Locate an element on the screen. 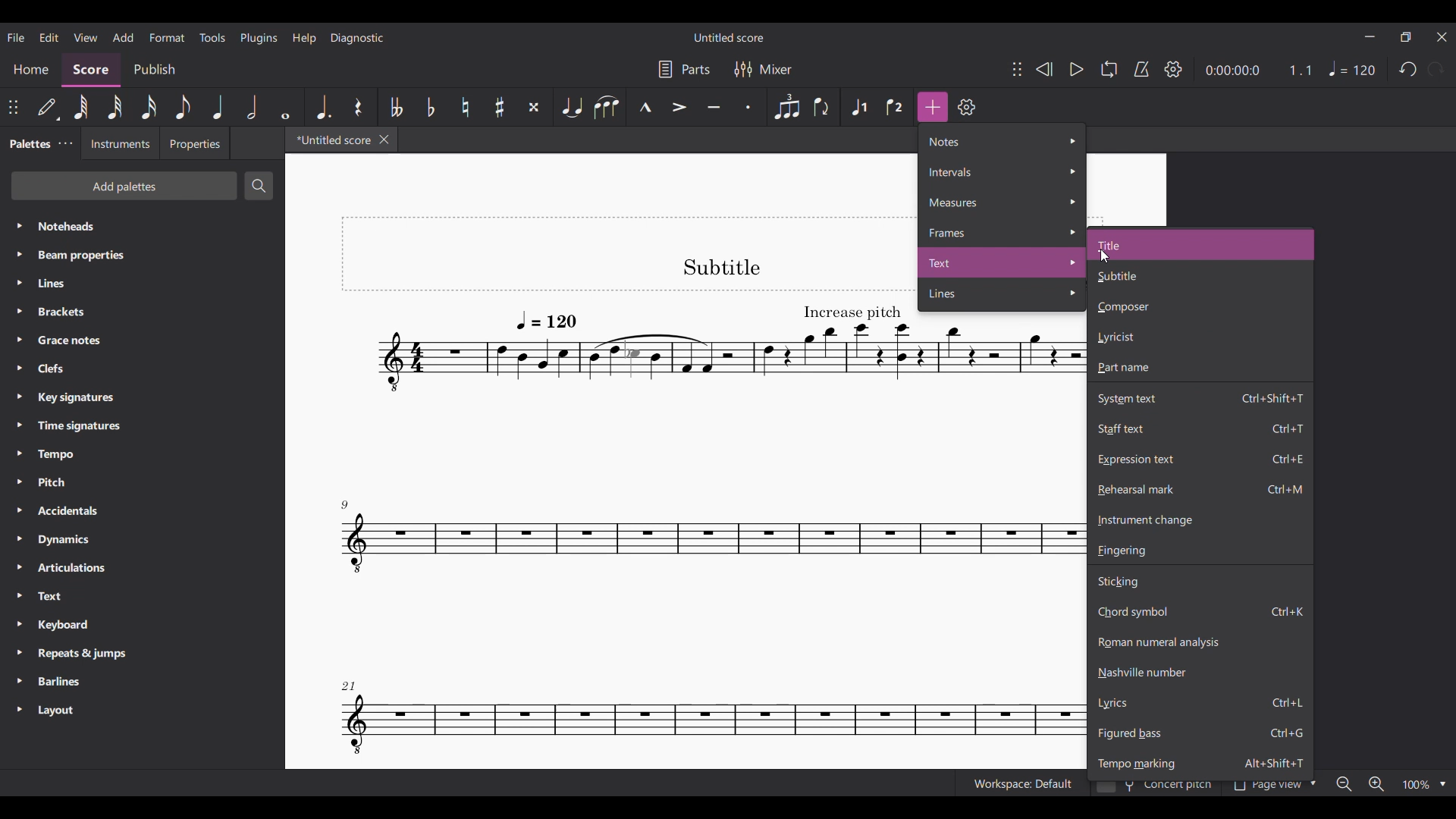  Tempo is located at coordinates (142, 454).